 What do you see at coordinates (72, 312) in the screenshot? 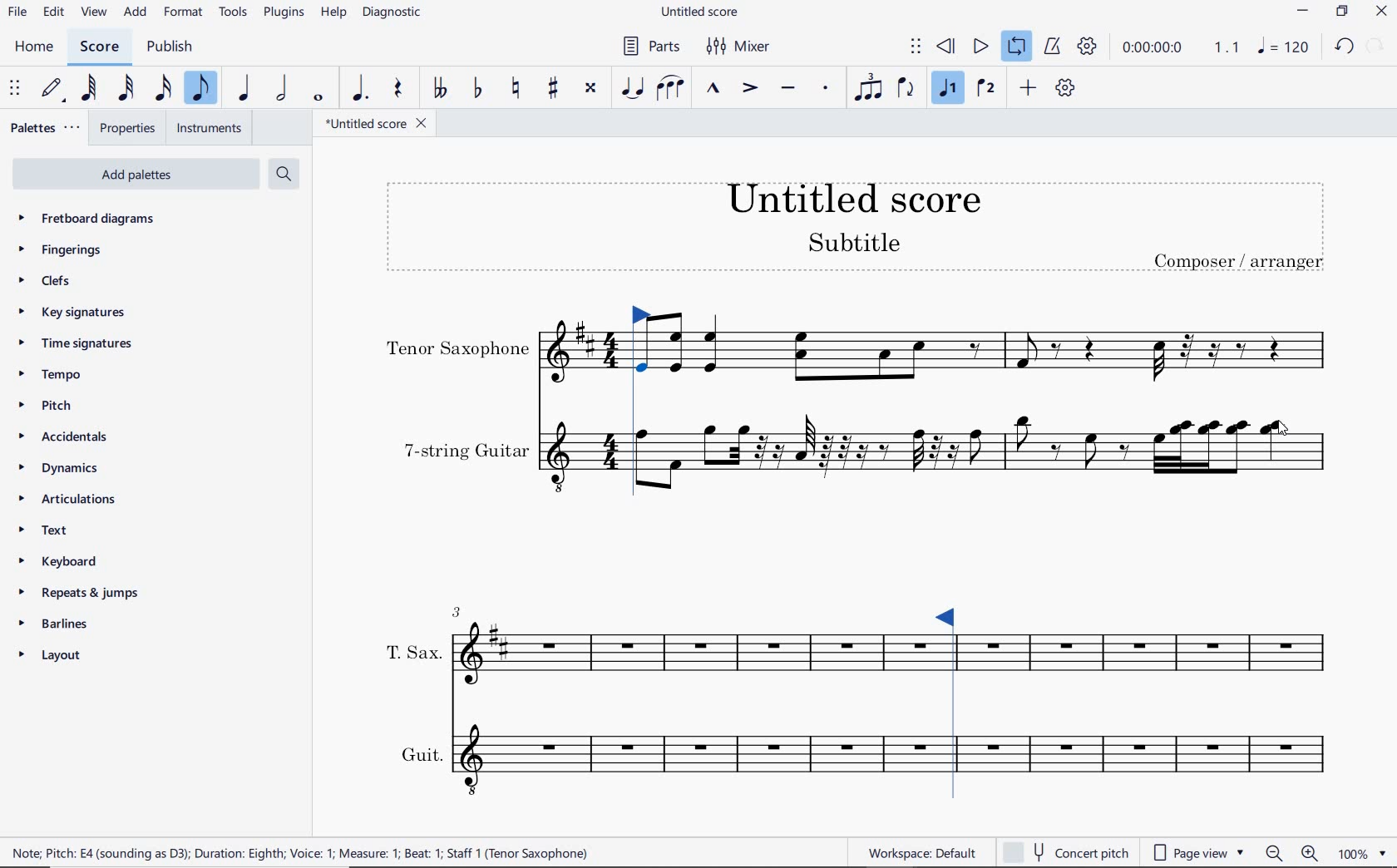
I see `KEY SIGNATURES` at bounding box center [72, 312].